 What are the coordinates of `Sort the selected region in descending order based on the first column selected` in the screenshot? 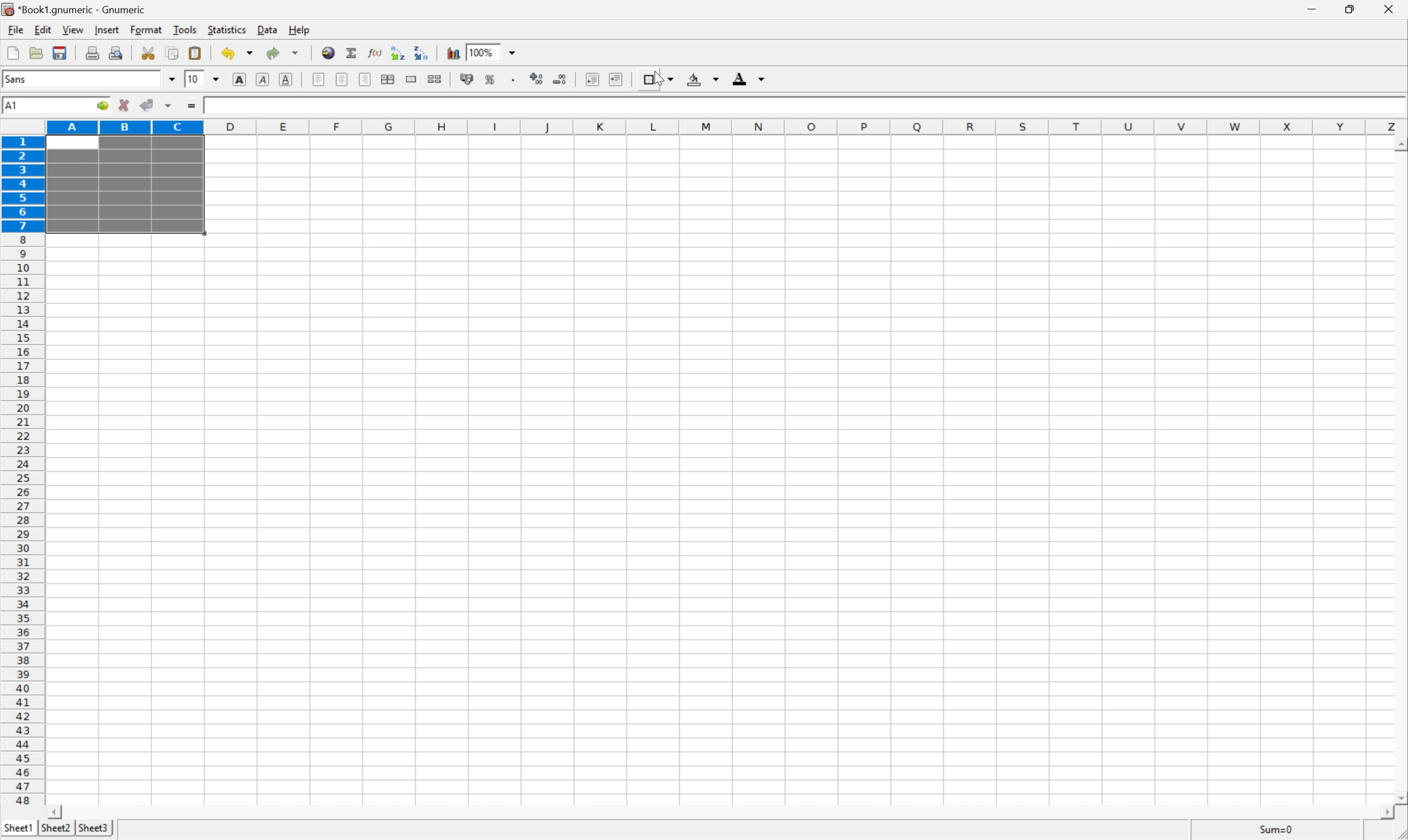 It's located at (422, 53).